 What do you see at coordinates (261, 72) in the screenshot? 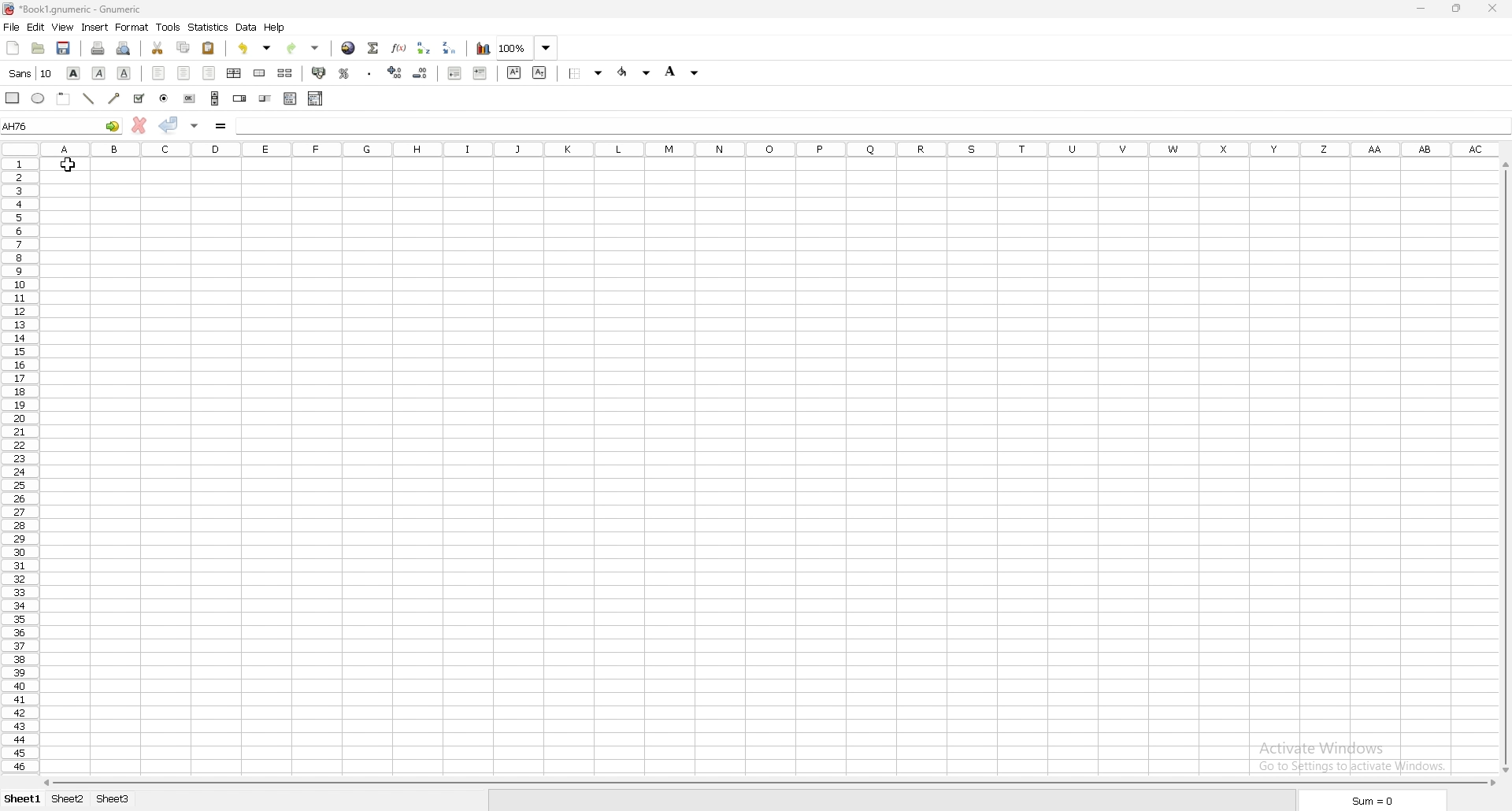
I see `merge cell` at bounding box center [261, 72].